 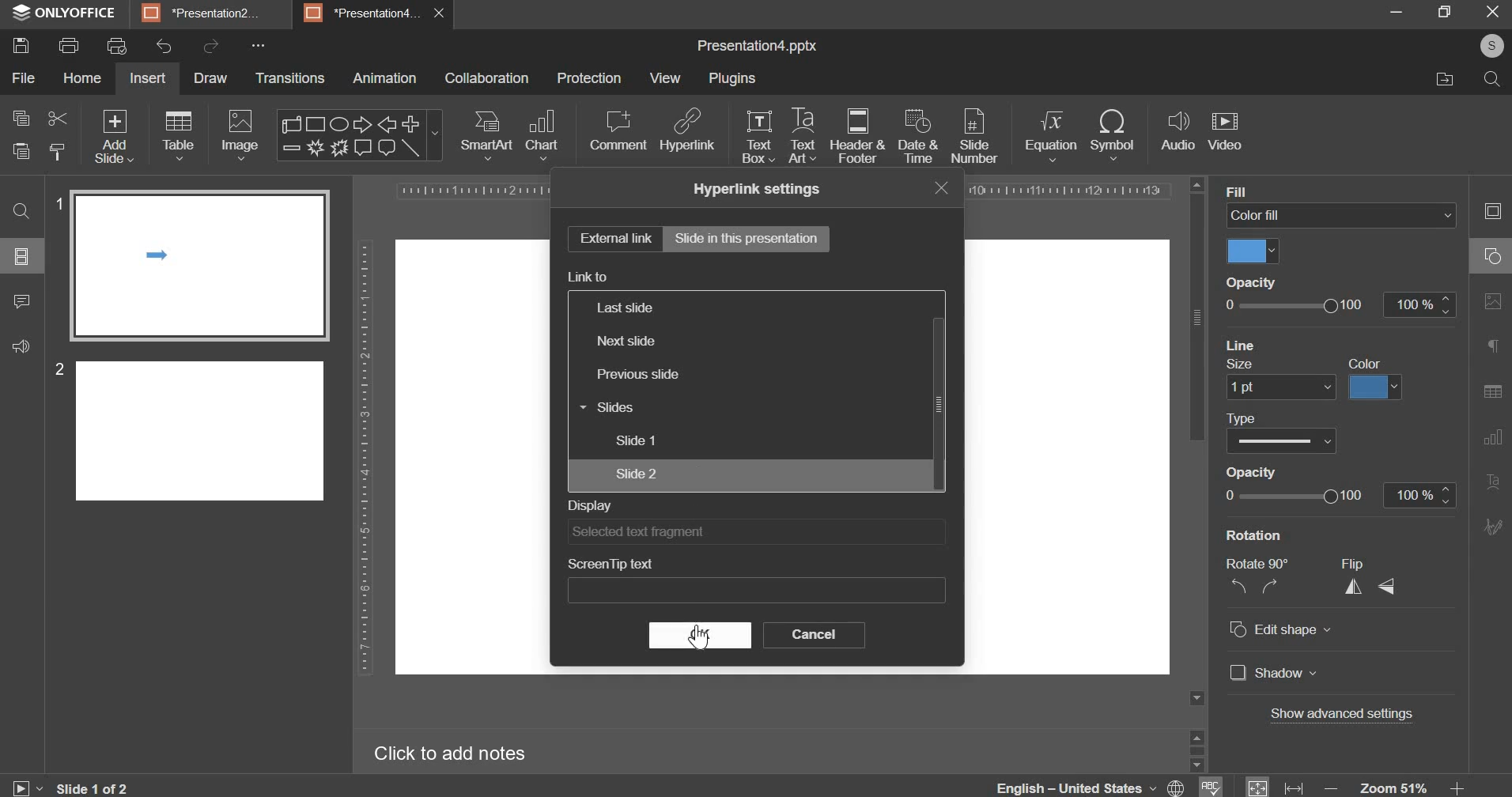 What do you see at coordinates (360, 459) in the screenshot?
I see `vertical scale` at bounding box center [360, 459].